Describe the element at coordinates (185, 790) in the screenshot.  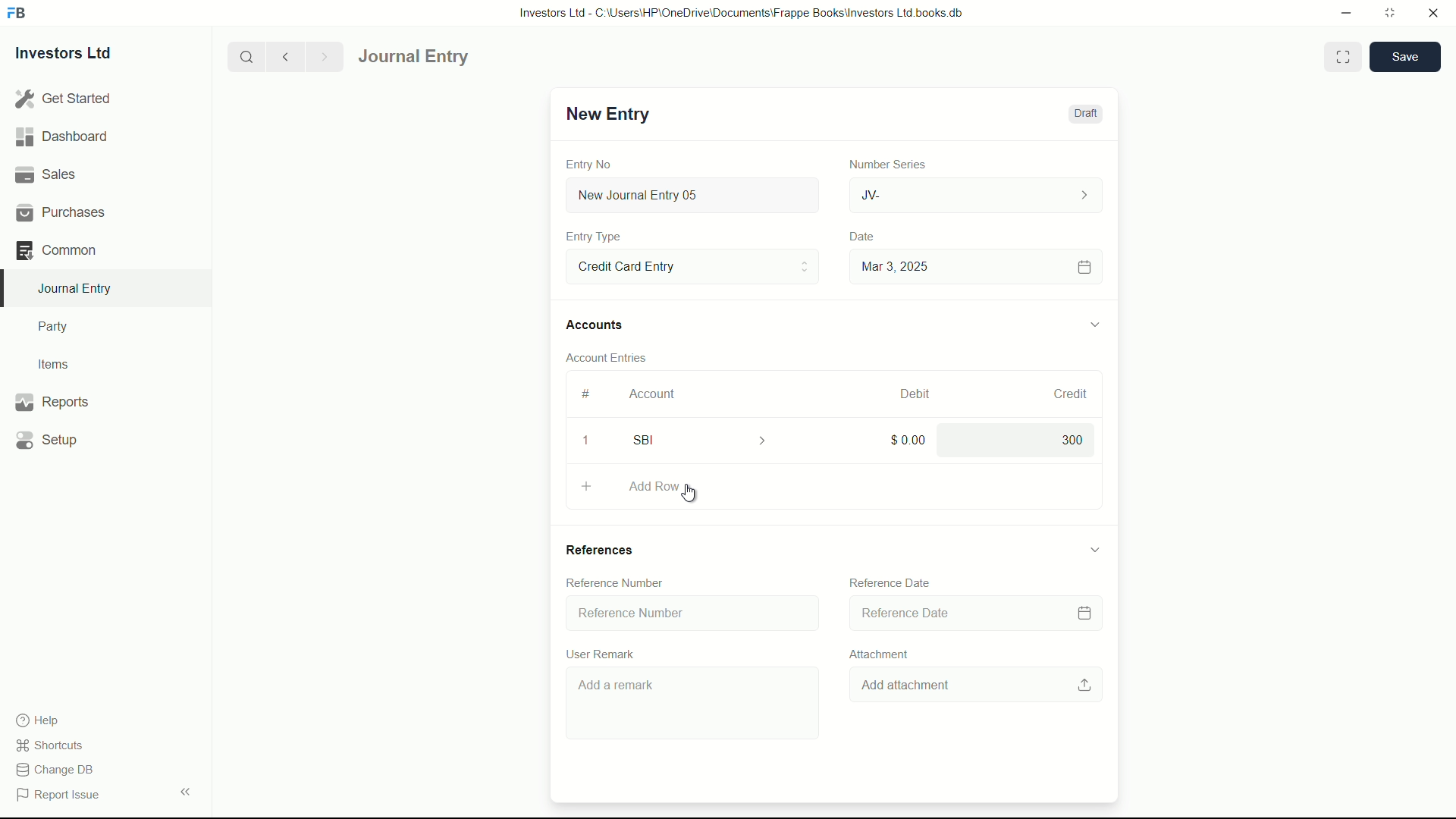
I see `expand/collapse` at that location.